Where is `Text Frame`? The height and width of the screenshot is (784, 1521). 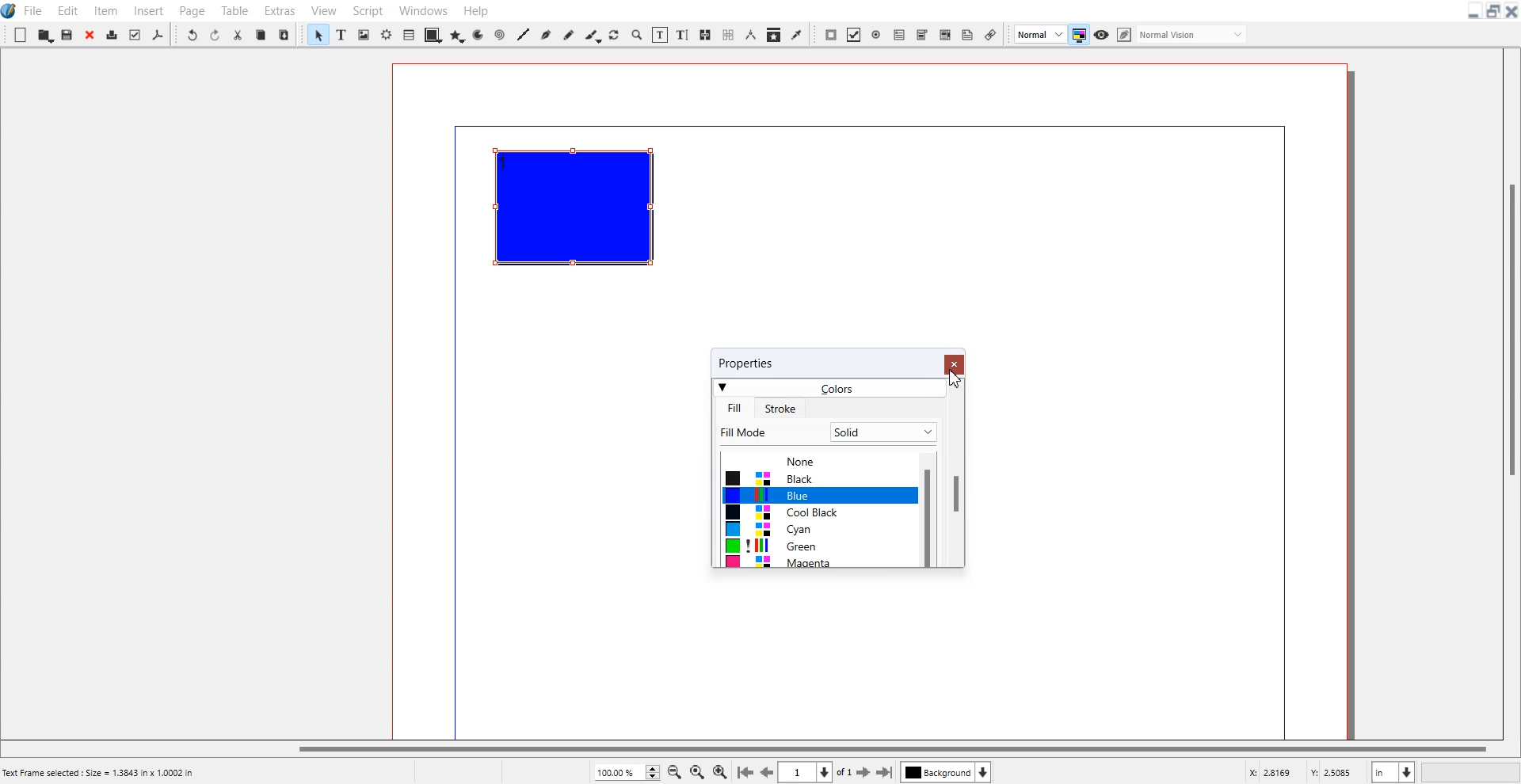
Text Frame is located at coordinates (341, 35).